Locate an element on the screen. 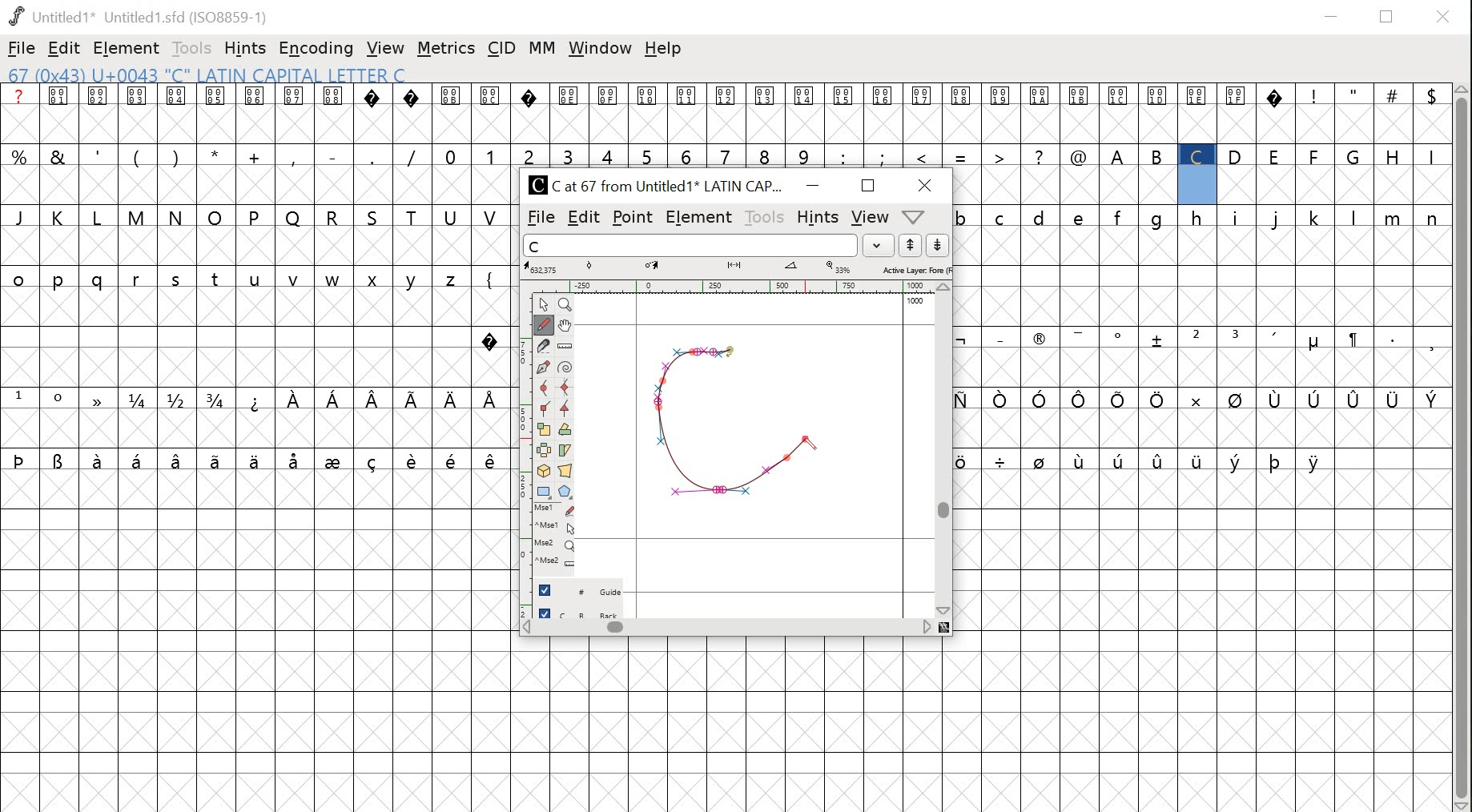 The image size is (1472, 812). metrics is located at coordinates (445, 48).